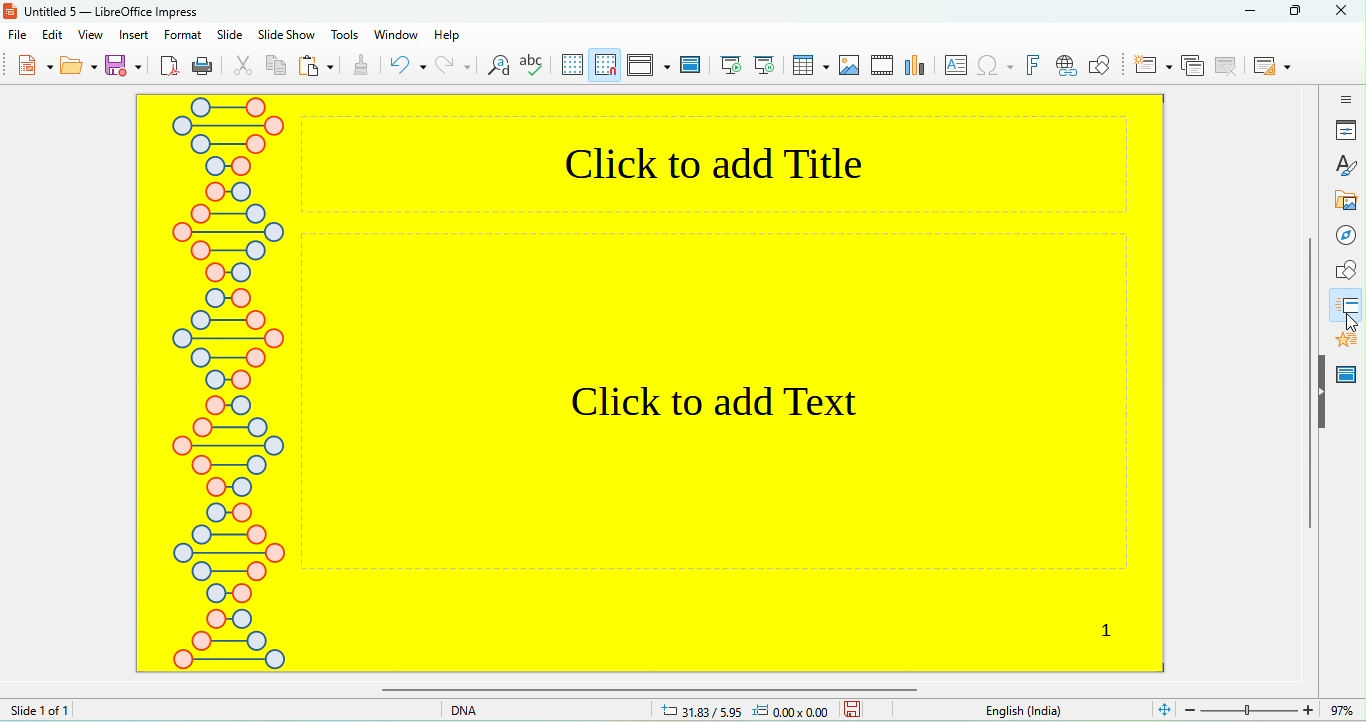 This screenshot has width=1366, height=722. Describe the element at coordinates (346, 36) in the screenshot. I see `tools` at that location.